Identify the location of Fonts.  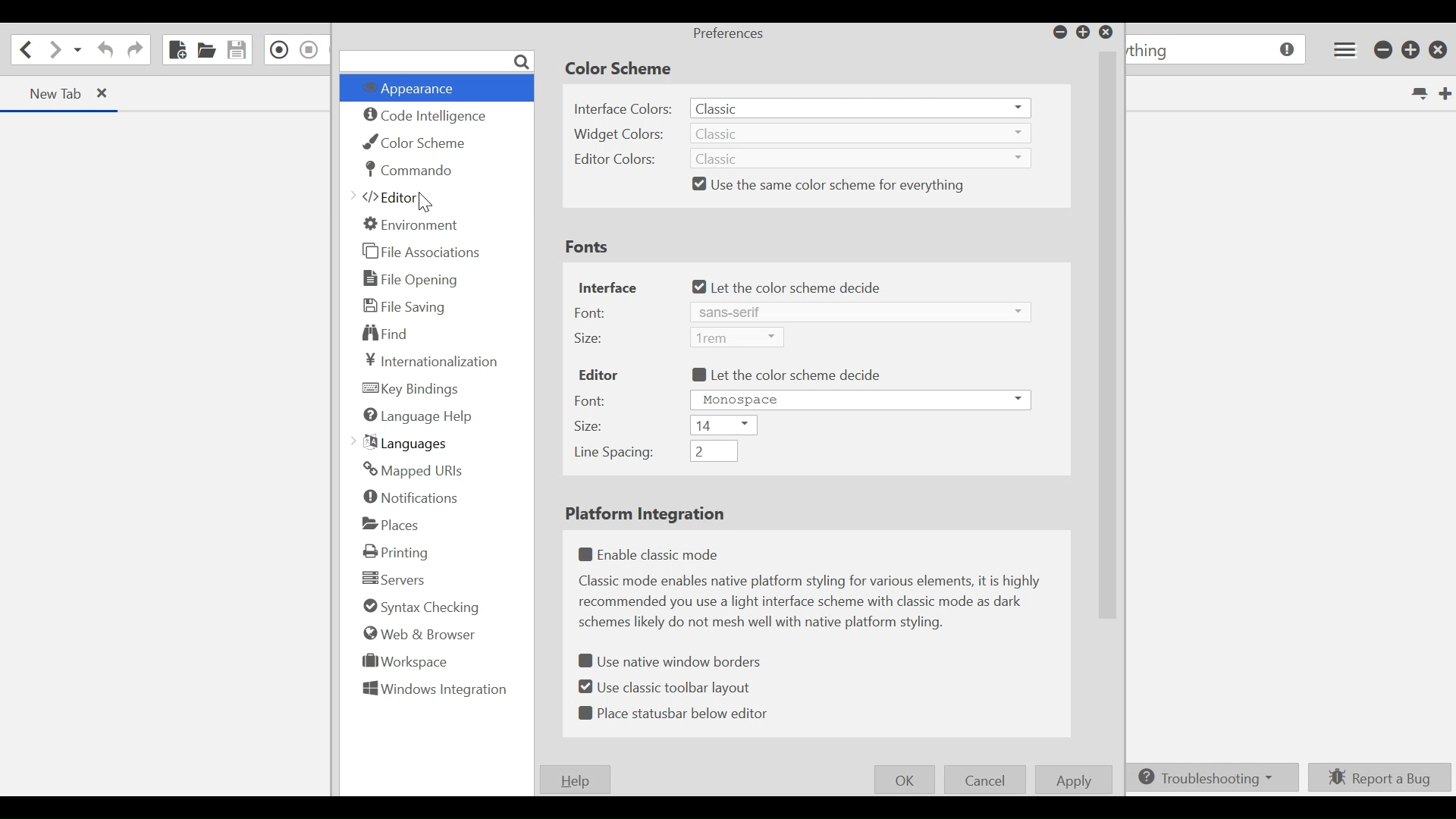
(590, 248).